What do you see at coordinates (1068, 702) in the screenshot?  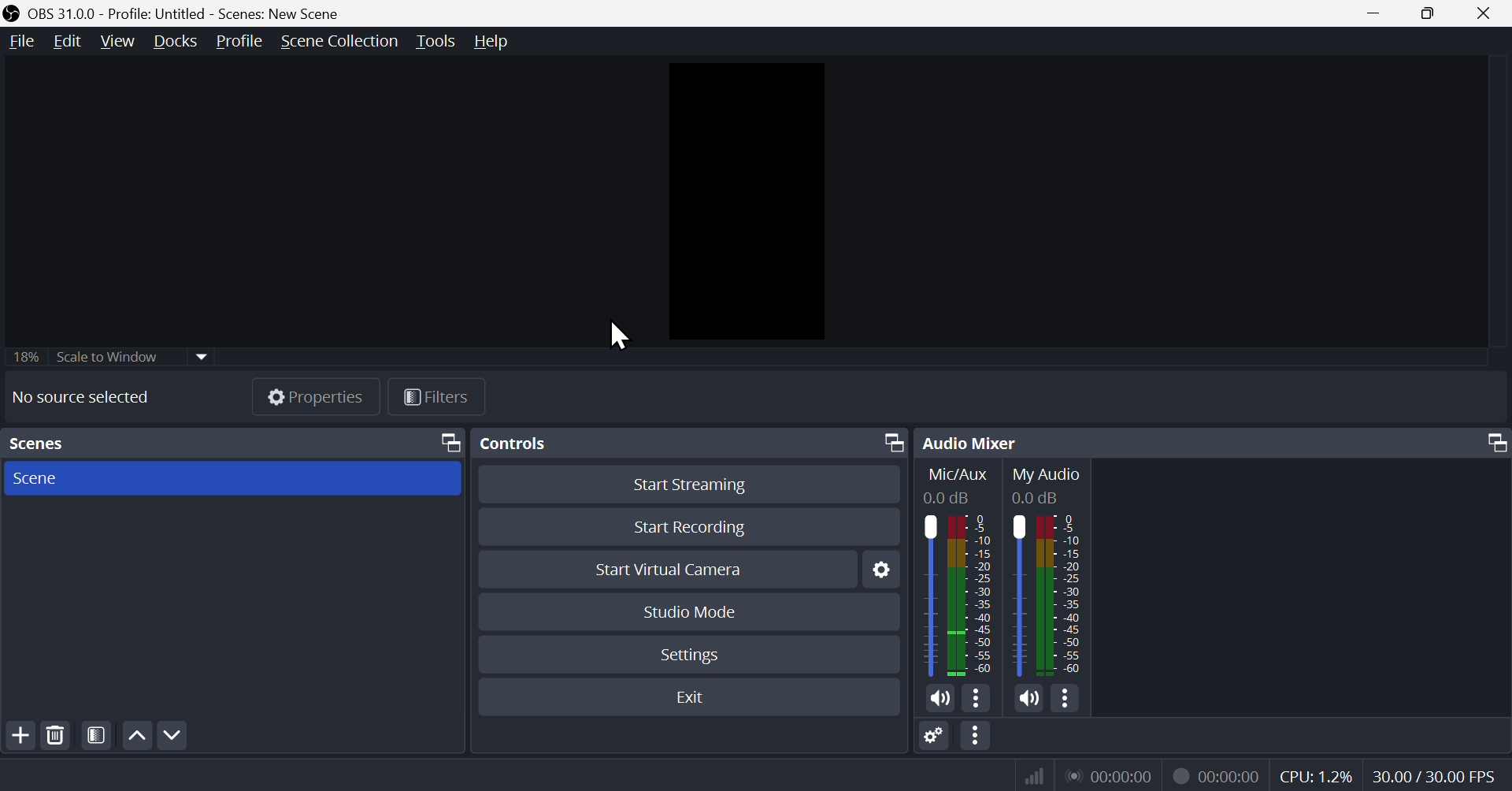 I see `More` at bounding box center [1068, 702].